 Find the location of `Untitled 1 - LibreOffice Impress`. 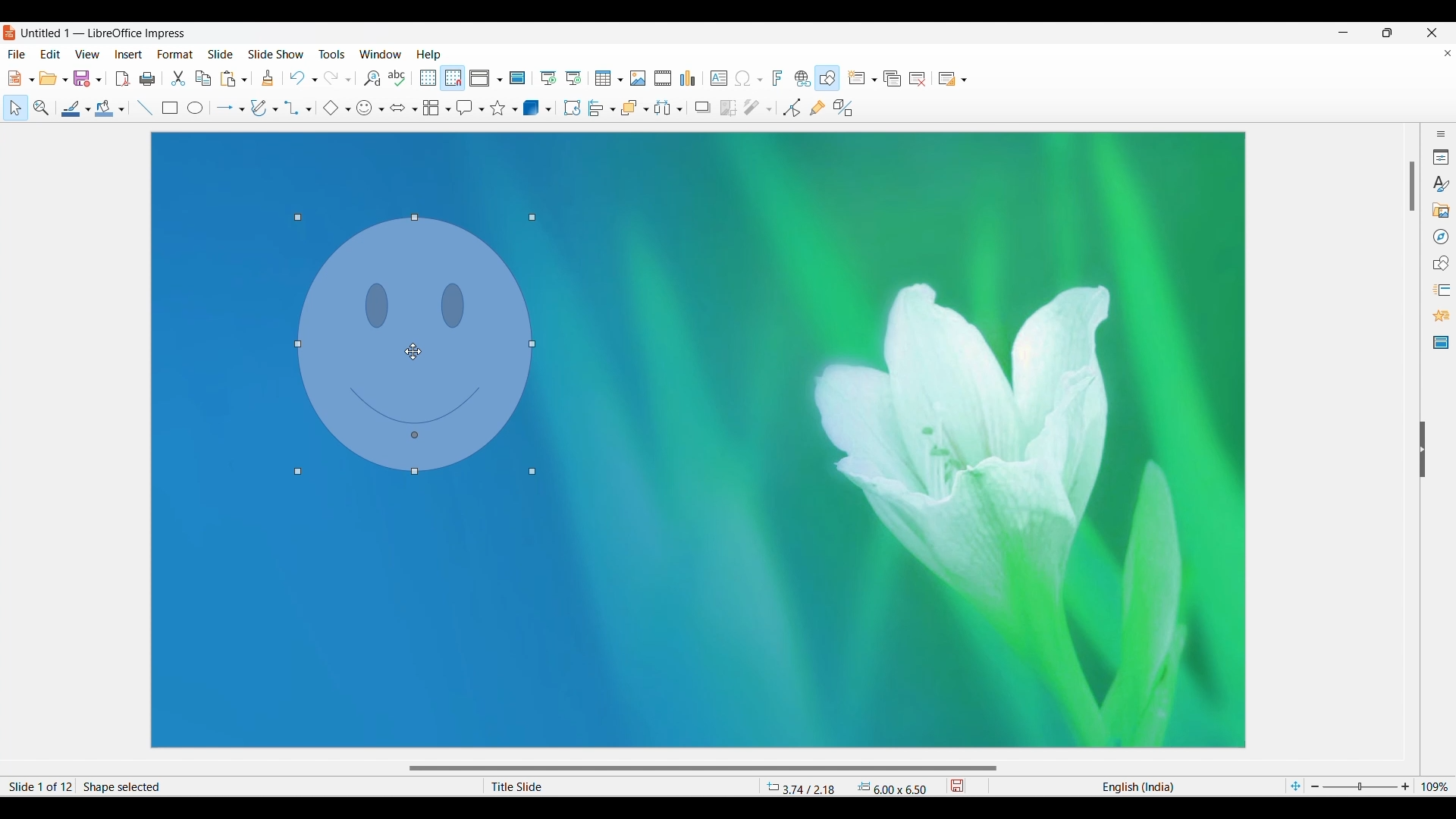

Untitled 1 - LibreOffice Impress is located at coordinates (105, 33).